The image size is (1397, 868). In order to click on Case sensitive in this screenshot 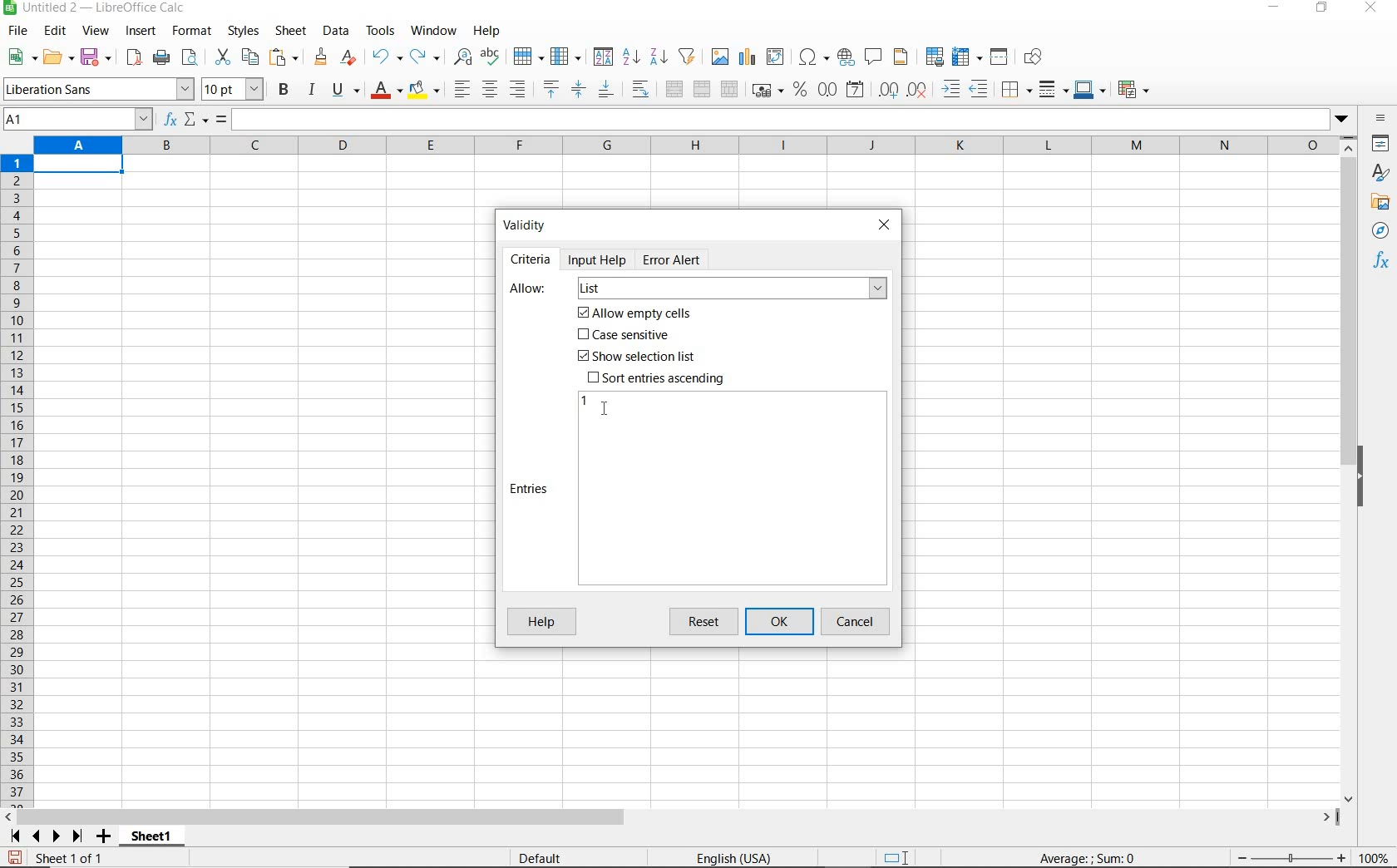, I will do `click(625, 336)`.